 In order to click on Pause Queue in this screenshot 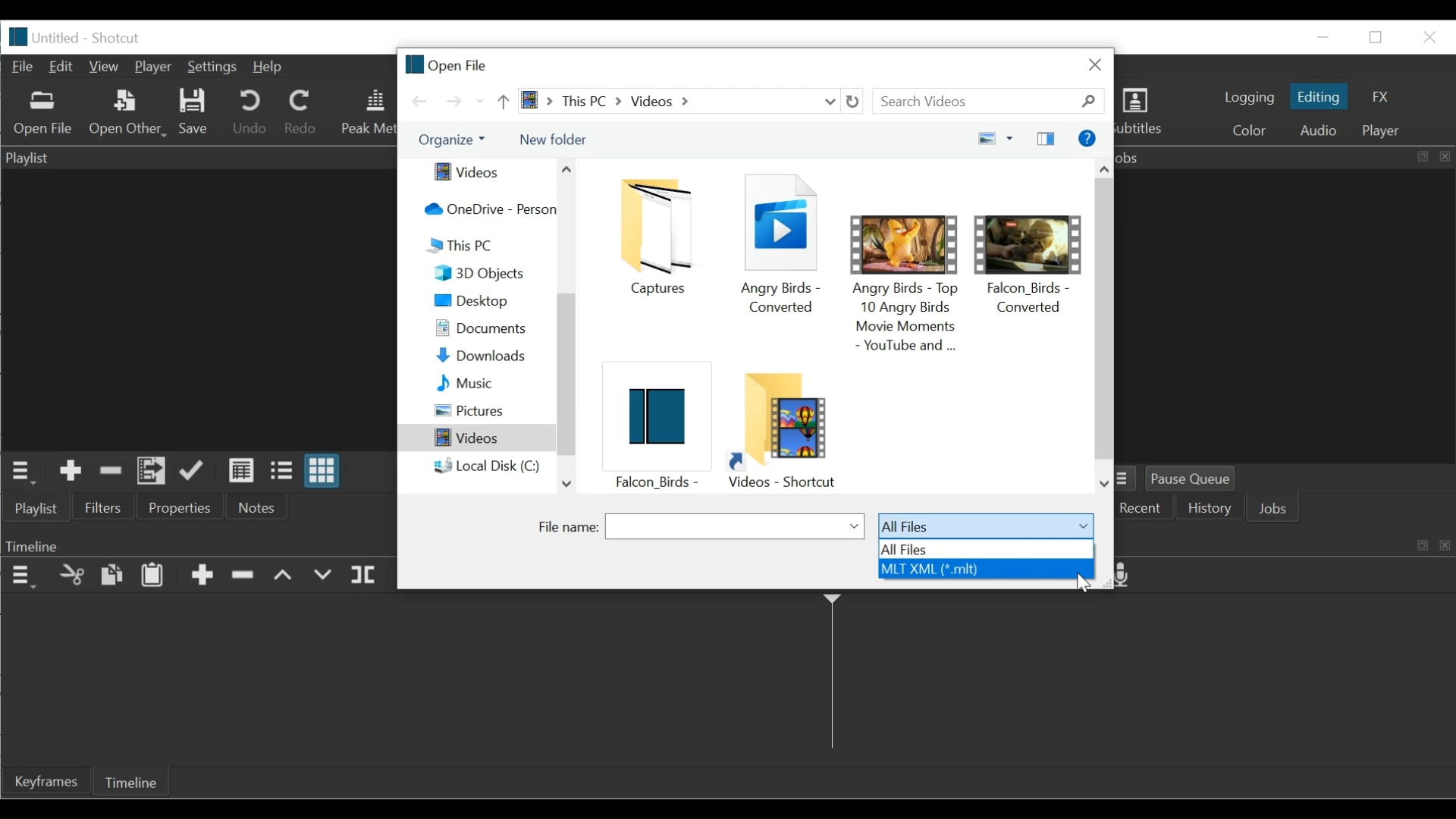, I will do `click(1198, 479)`.